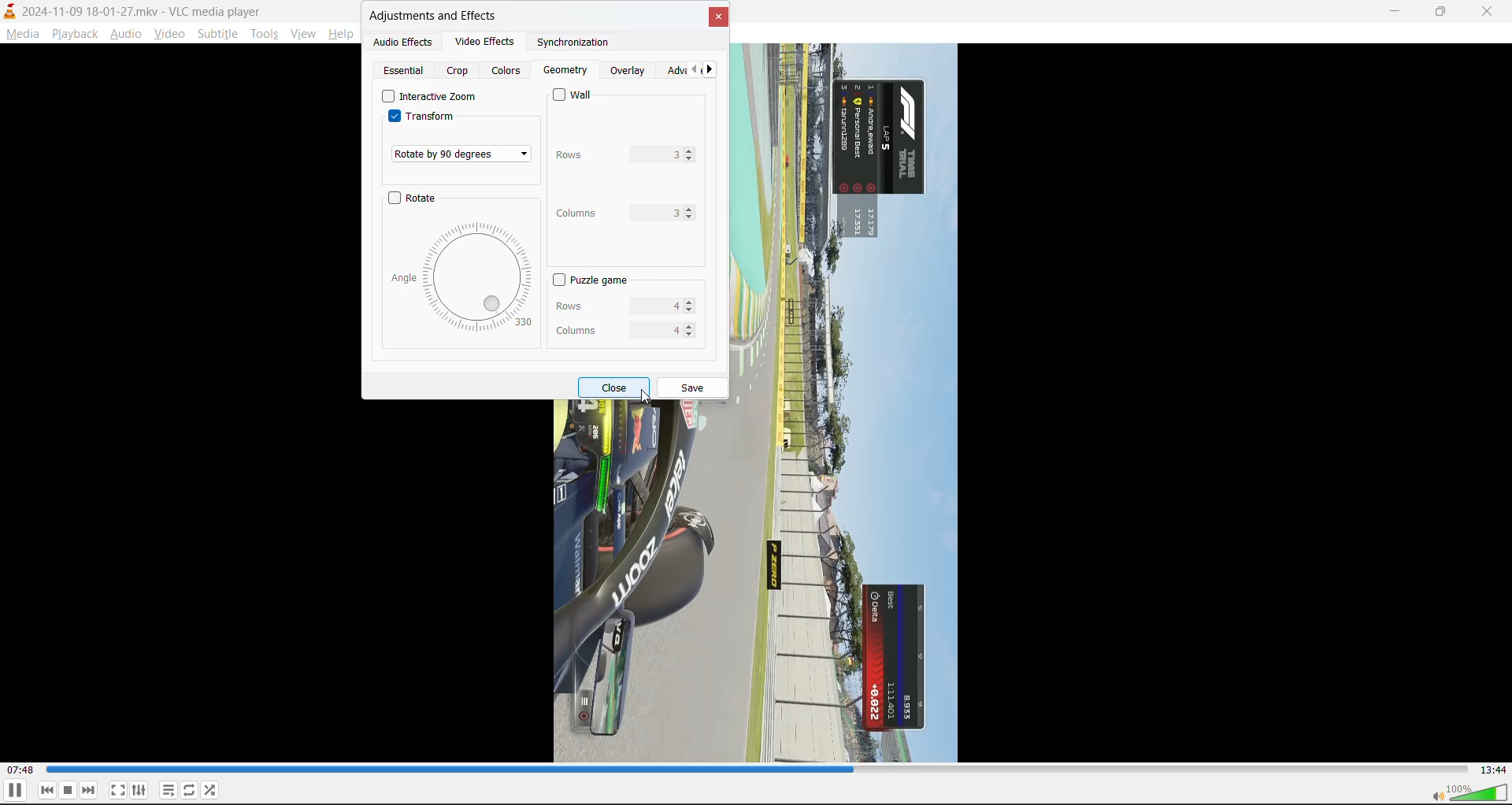 This screenshot has height=805, width=1512. What do you see at coordinates (127, 33) in the screenshot?
I see `audio` at bounding box center [127, 33].